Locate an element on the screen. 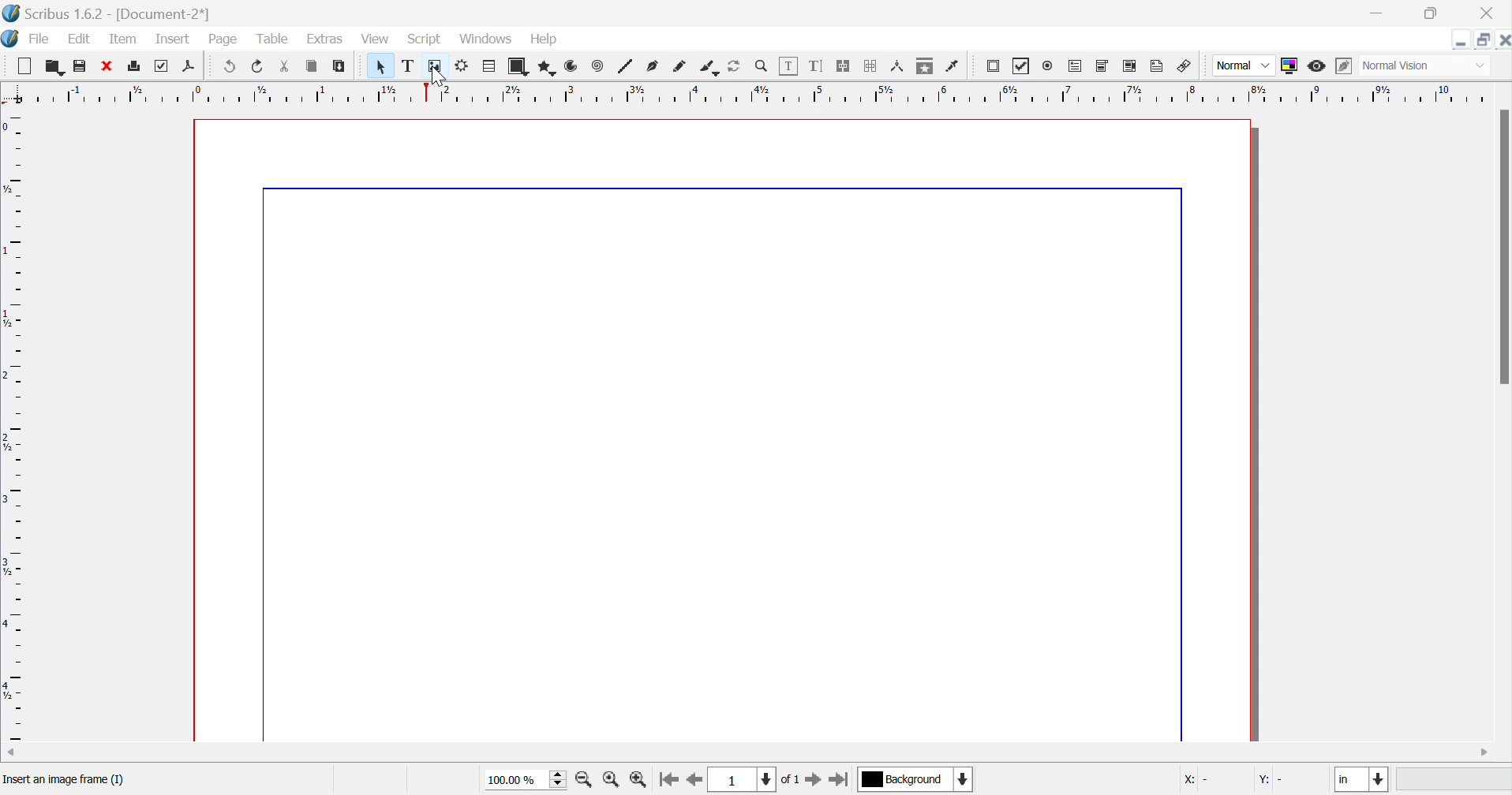 Image resolution: width=1512 pixels, height=795 pixels. scroll left is located at coordinates (9, 751).